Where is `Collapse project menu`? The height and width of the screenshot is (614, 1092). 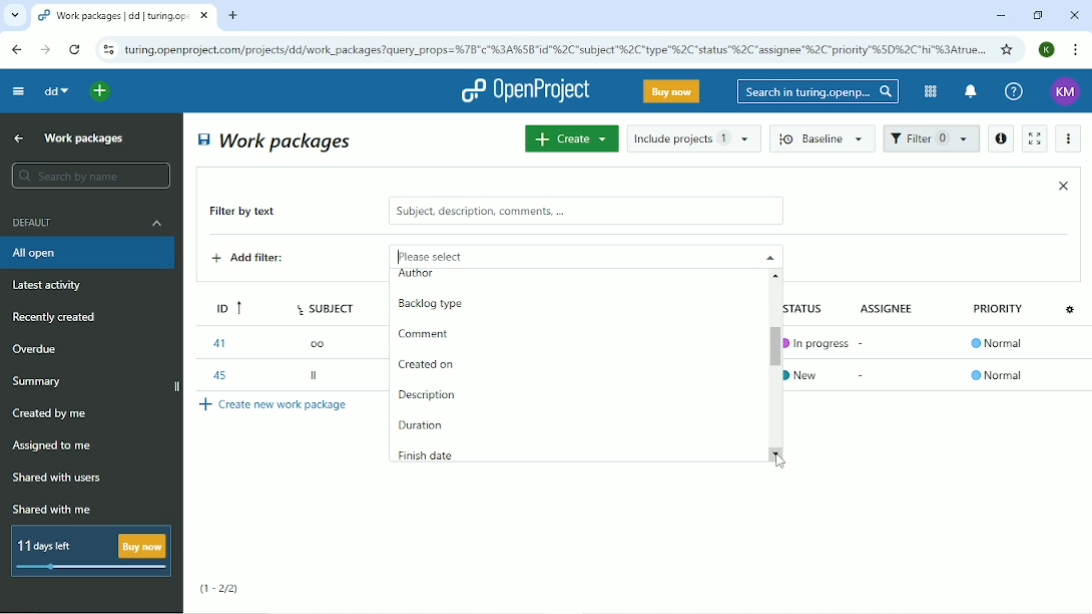 Collapse project menu is located at coordinates (17, 90).